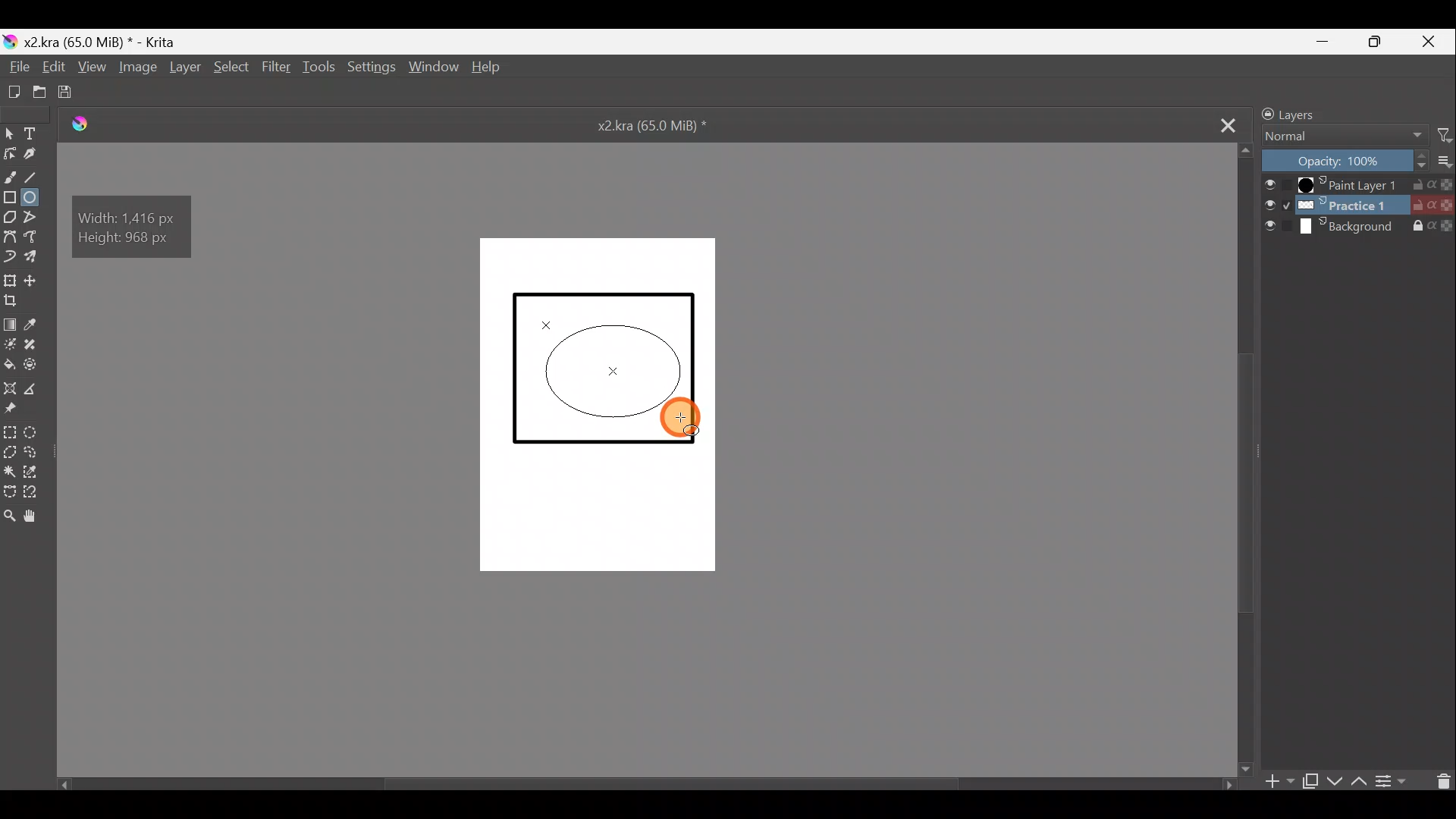  Describe the element at coordinates (17, 410) in the screenshot. I see `Reference images tool` at that location.